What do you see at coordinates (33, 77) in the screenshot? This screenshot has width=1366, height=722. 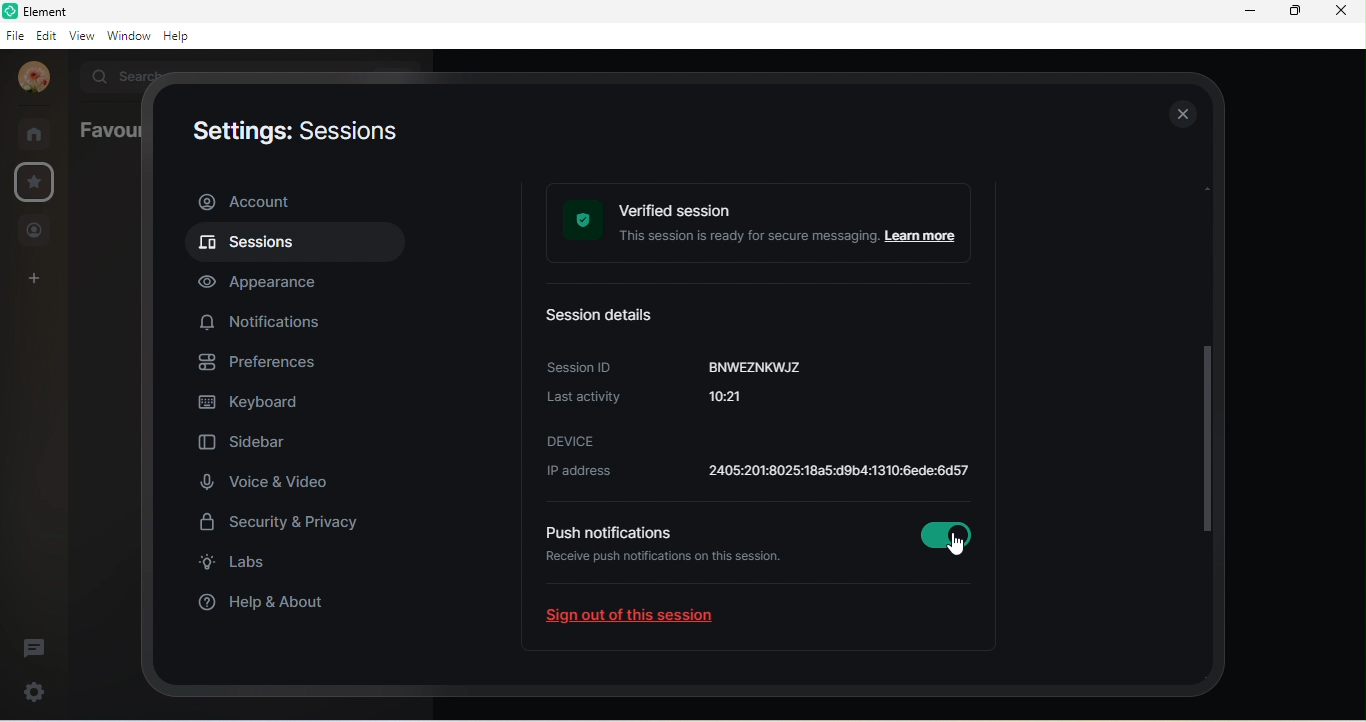 I see `account` at bounding box center [33, 77].